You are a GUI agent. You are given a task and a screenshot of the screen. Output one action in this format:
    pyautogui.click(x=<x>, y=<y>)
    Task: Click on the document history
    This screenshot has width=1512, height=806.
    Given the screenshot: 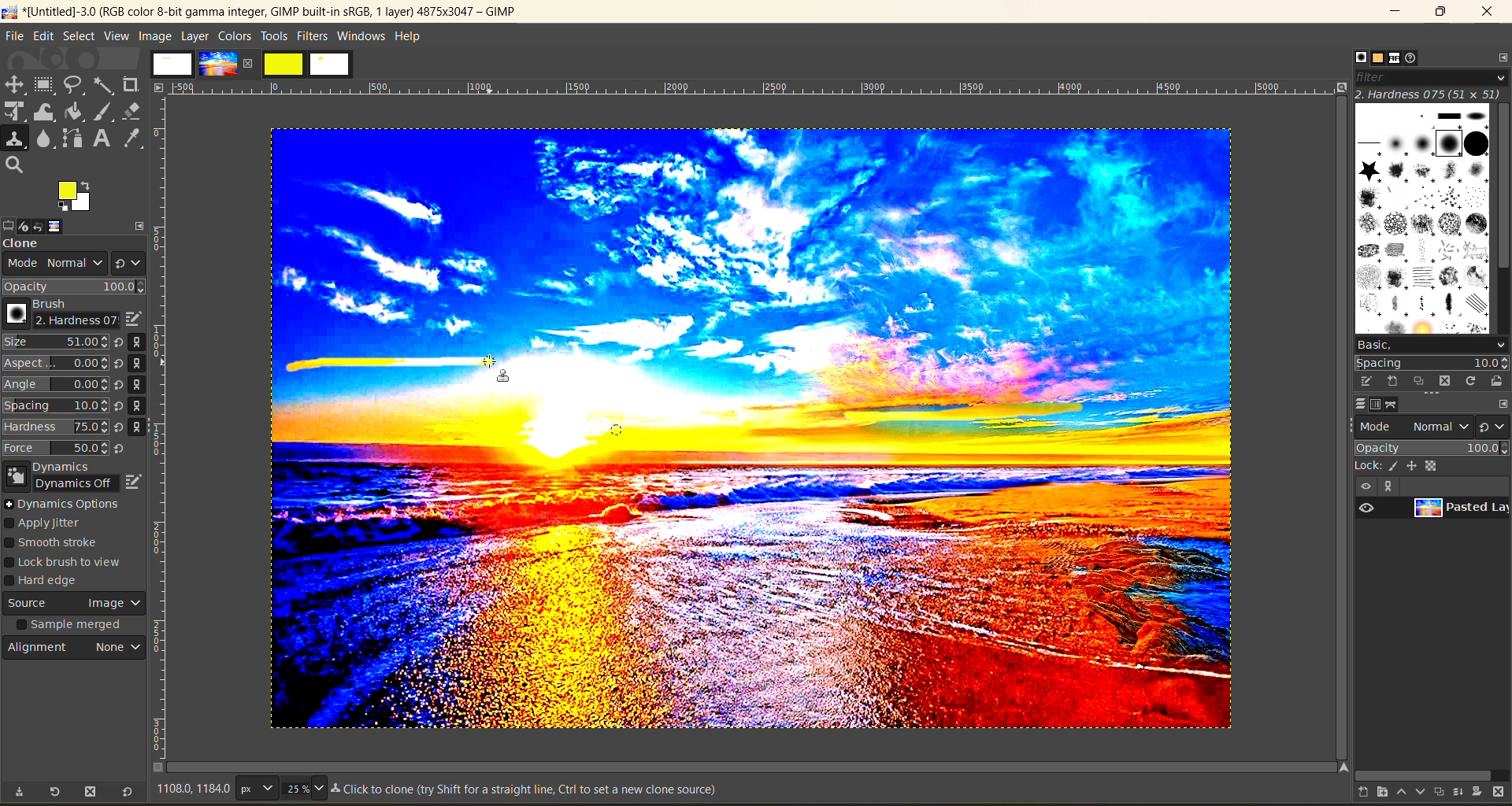 What is the action you would take?
    pyautogui.click(x=1417, y=58)
    